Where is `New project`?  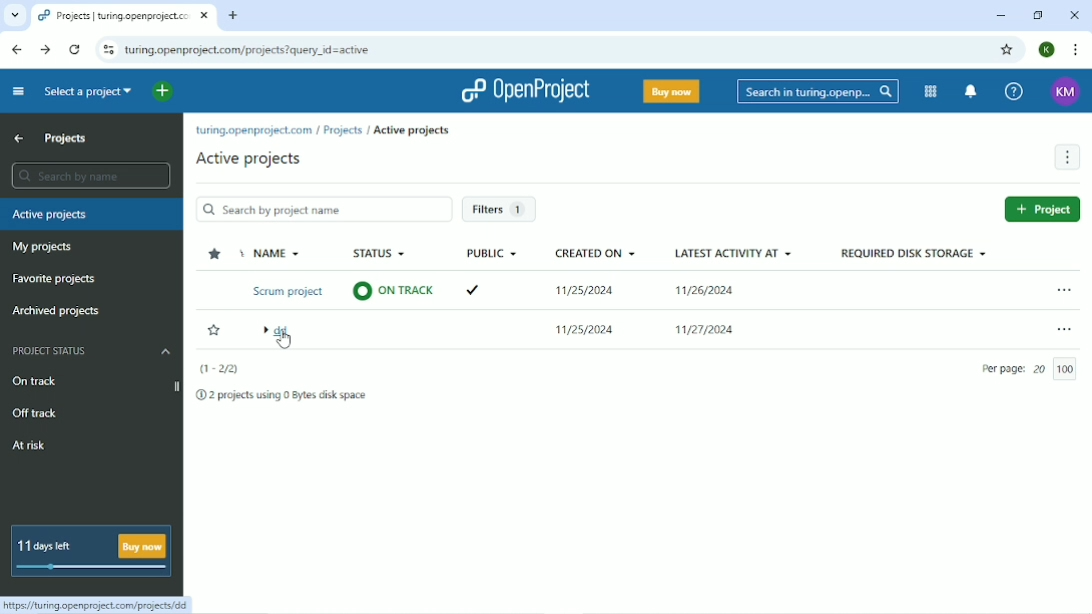 New project is located at coordinates (1043, 211).